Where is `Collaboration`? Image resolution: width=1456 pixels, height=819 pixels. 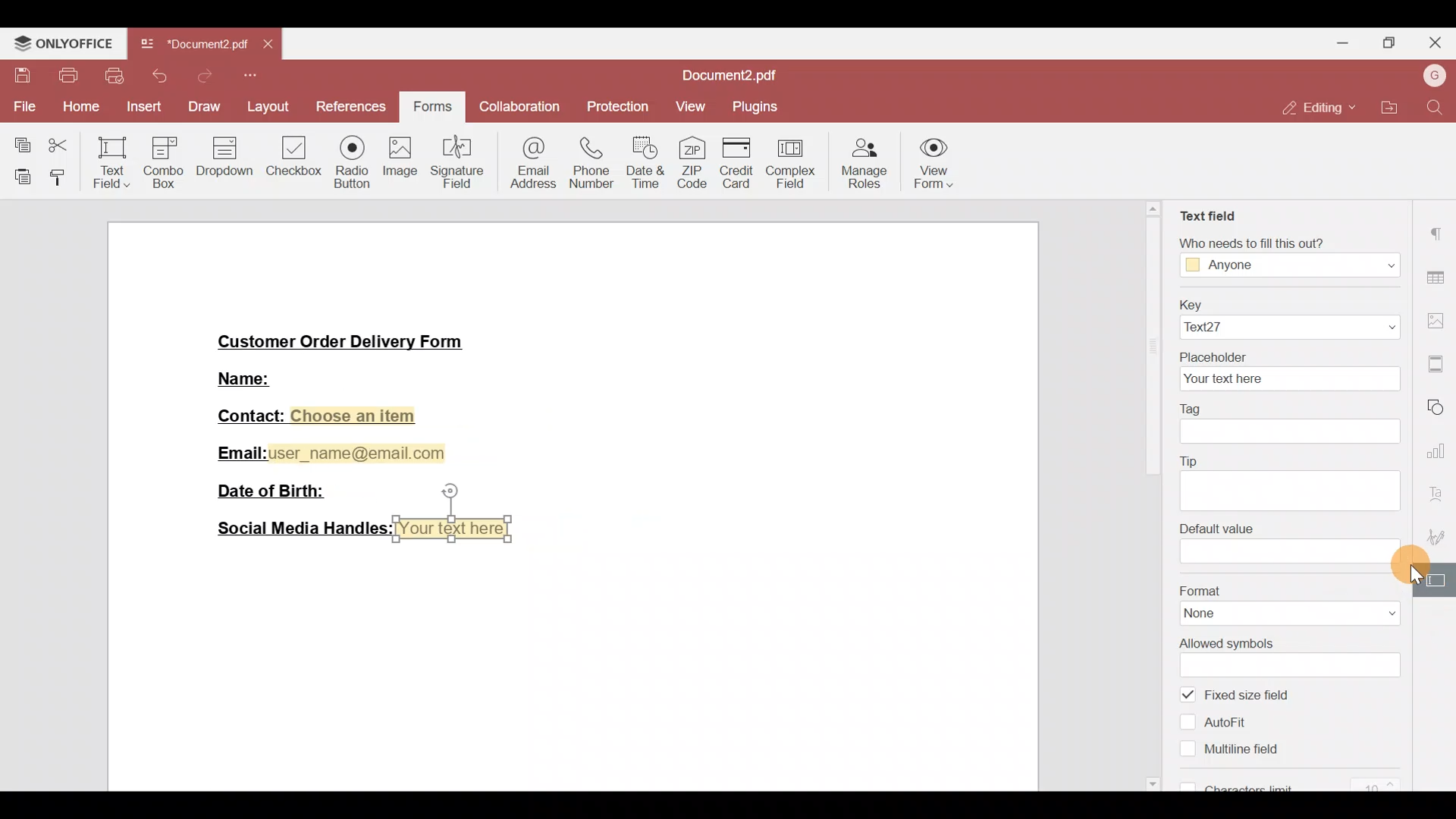 Collaboration is located at coordinates (521, 108).